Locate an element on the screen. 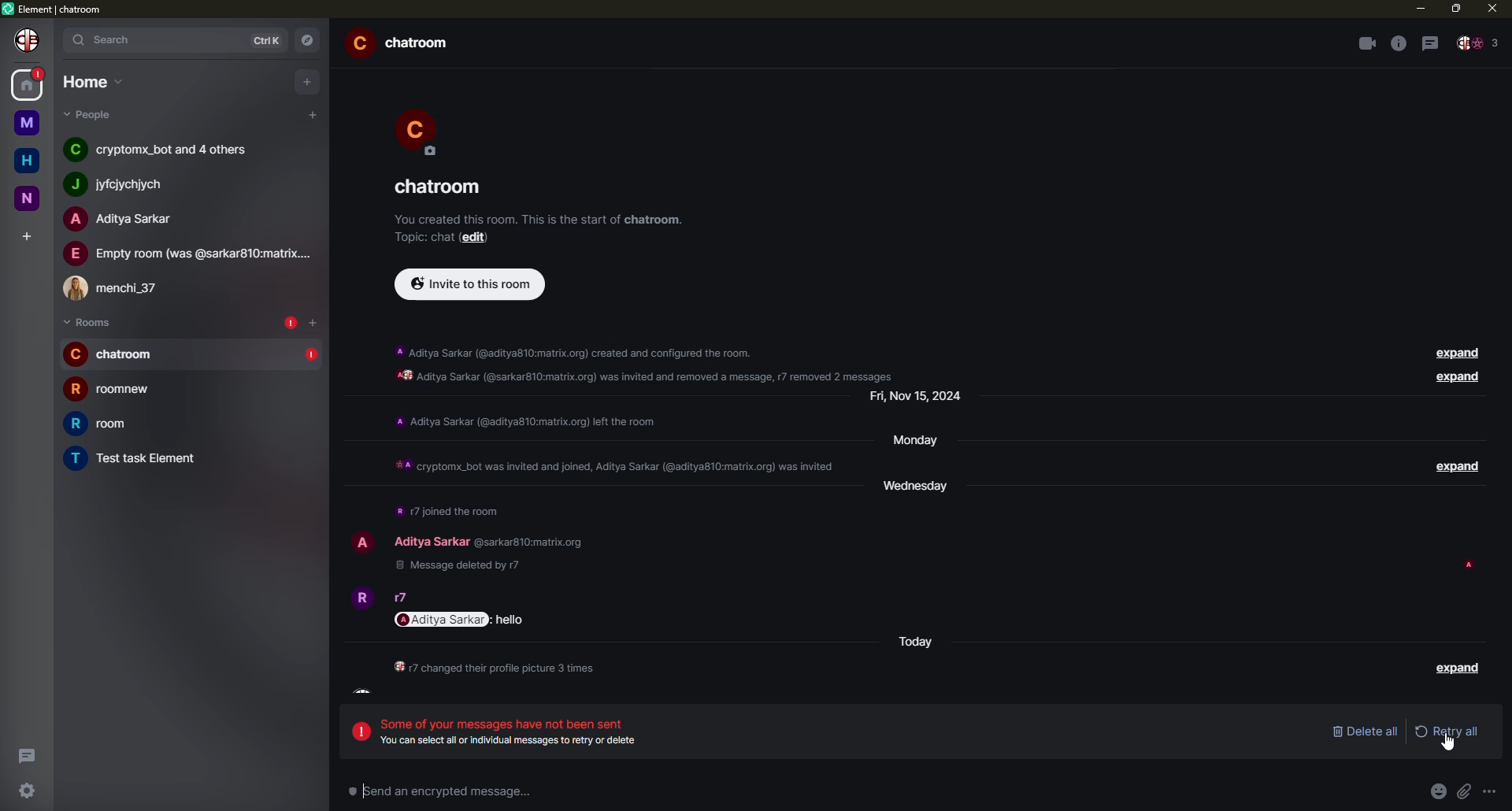 This screenshot has height=811, width=1512. info is located at coordinates (1397, 43).